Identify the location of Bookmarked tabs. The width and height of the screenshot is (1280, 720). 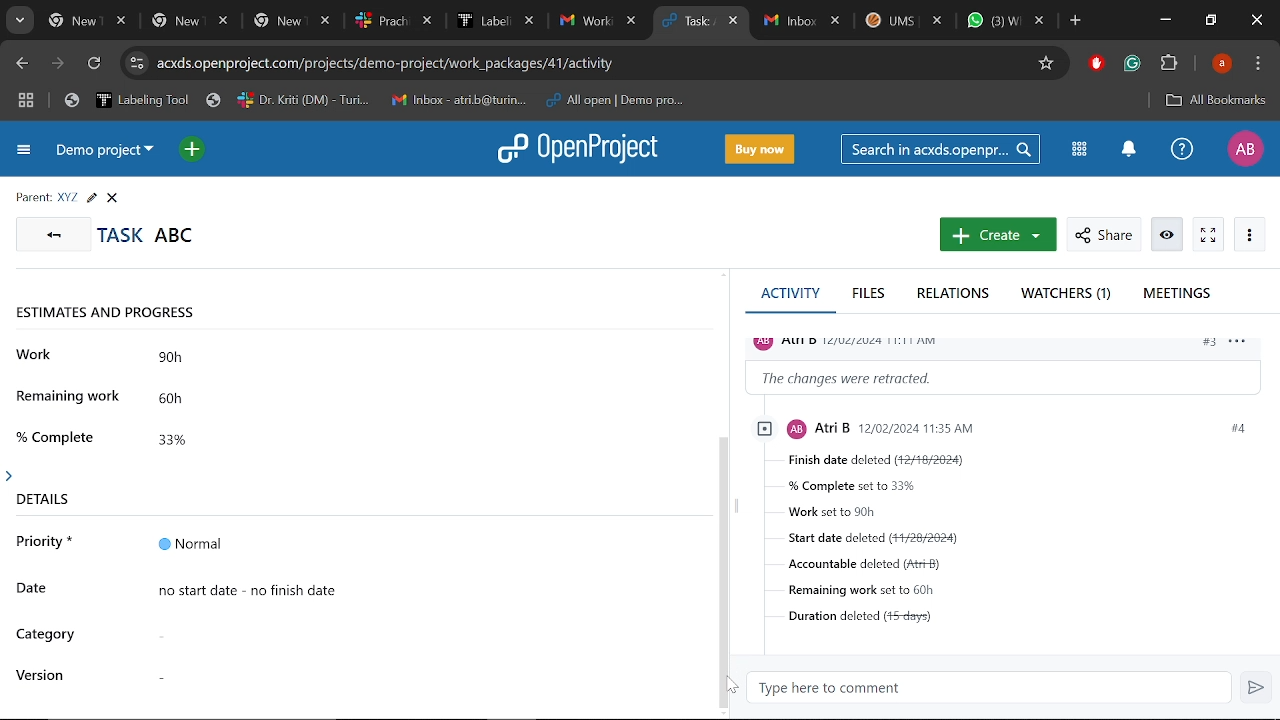
(378, 101).